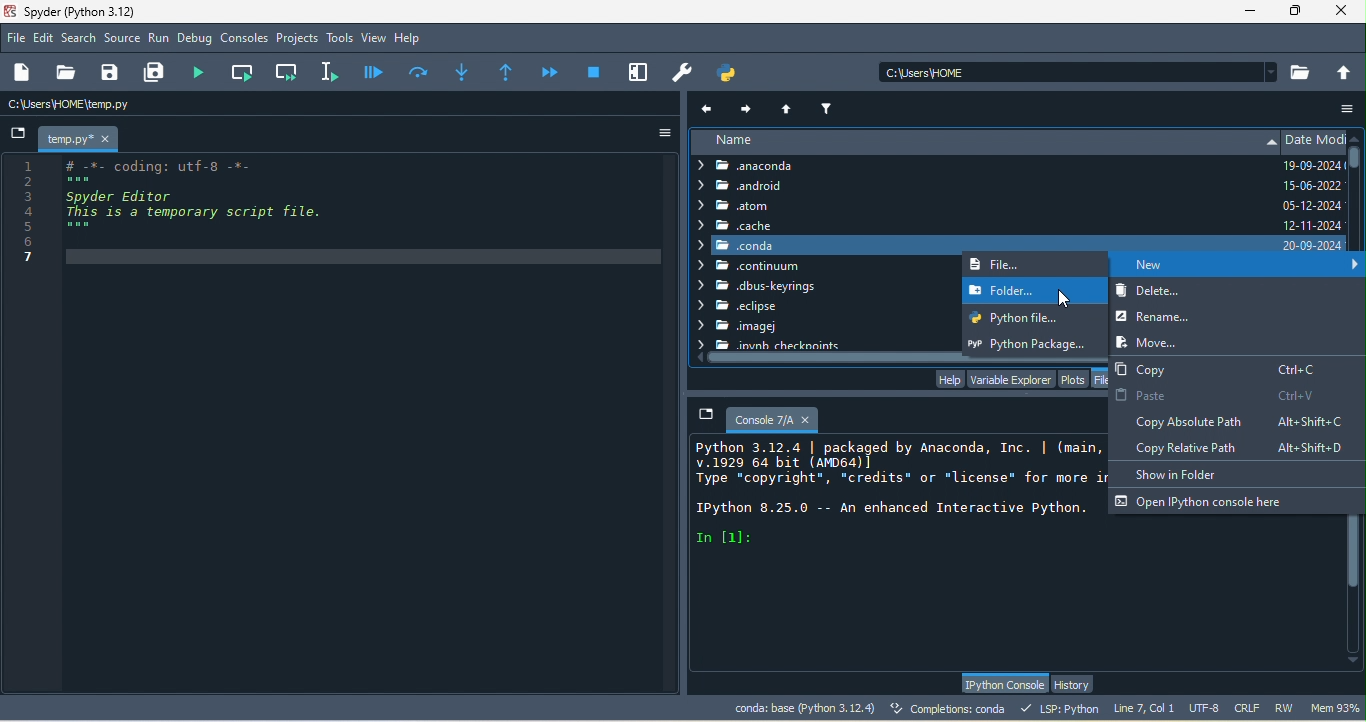  I want to click on vertical scroll bar, so click(1355, 582).